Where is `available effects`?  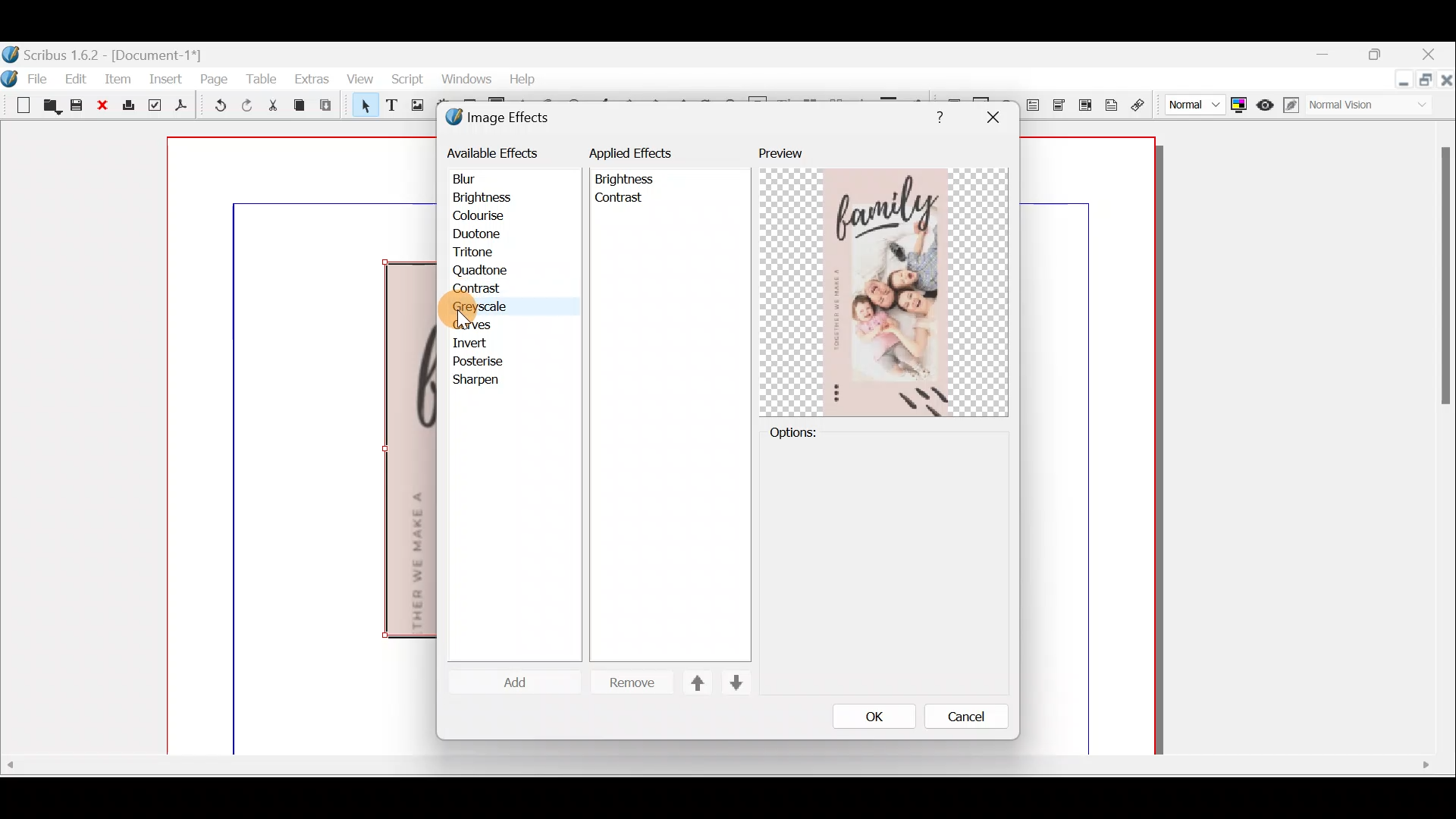 available effects is located at coordinates (494, 153).